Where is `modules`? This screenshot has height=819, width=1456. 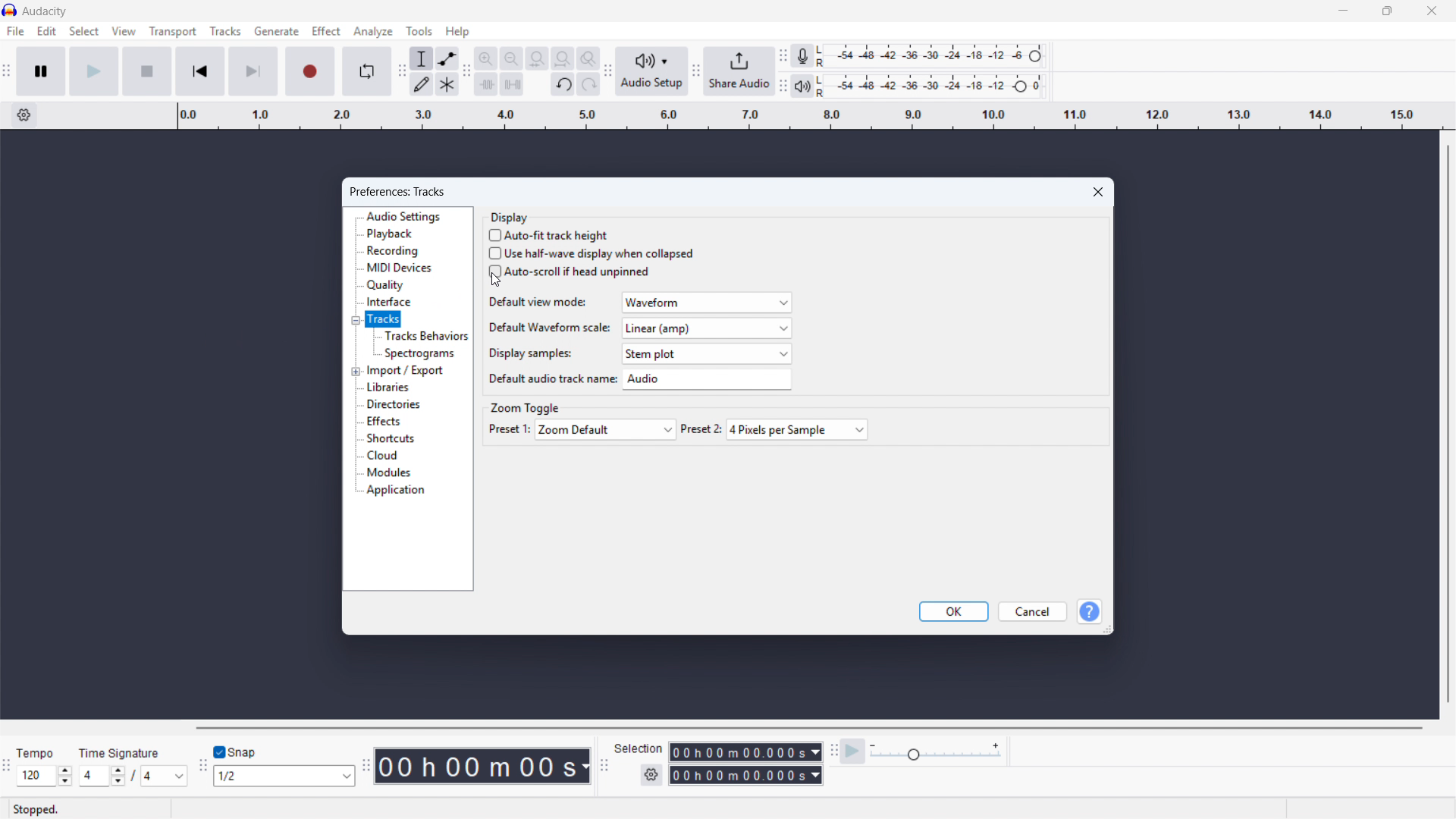
modules is located at coordinates (390, 472).